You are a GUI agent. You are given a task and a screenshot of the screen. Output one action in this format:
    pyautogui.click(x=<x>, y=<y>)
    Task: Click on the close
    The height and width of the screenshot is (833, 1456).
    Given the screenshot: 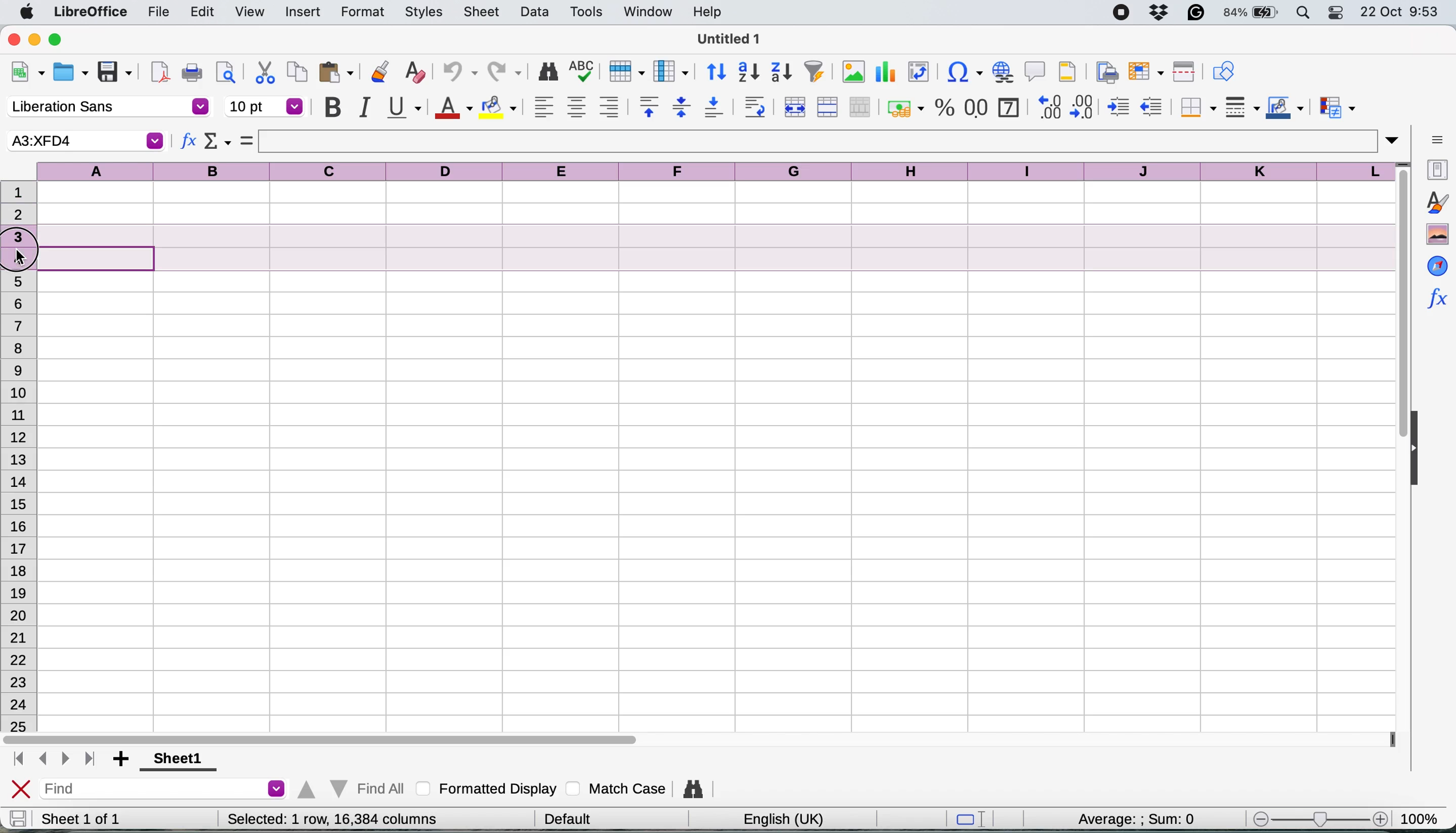 What is the action you would take?
    pyautogui.click(x=14, y=38)
    